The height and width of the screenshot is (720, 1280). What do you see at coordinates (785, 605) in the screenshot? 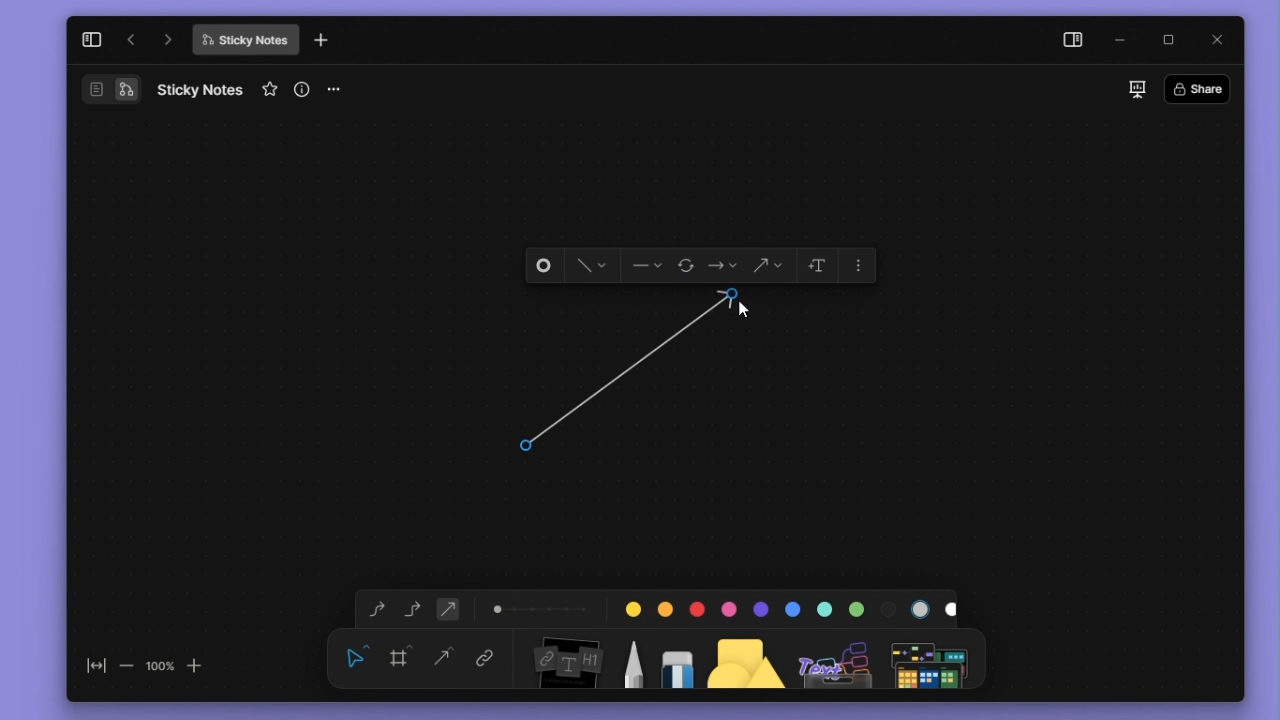
I see `color pallete` at bounding box center [785, 605].